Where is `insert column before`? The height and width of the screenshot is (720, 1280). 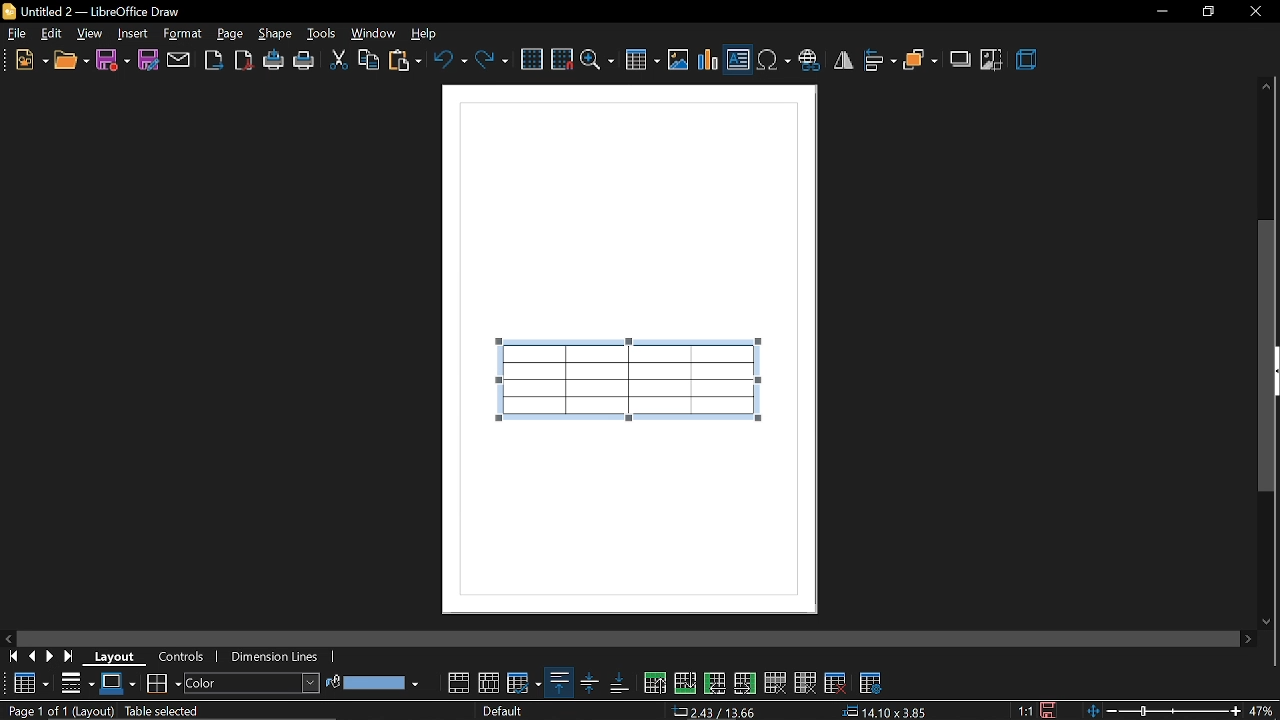 insert column before is located at coordinates (715, 683).